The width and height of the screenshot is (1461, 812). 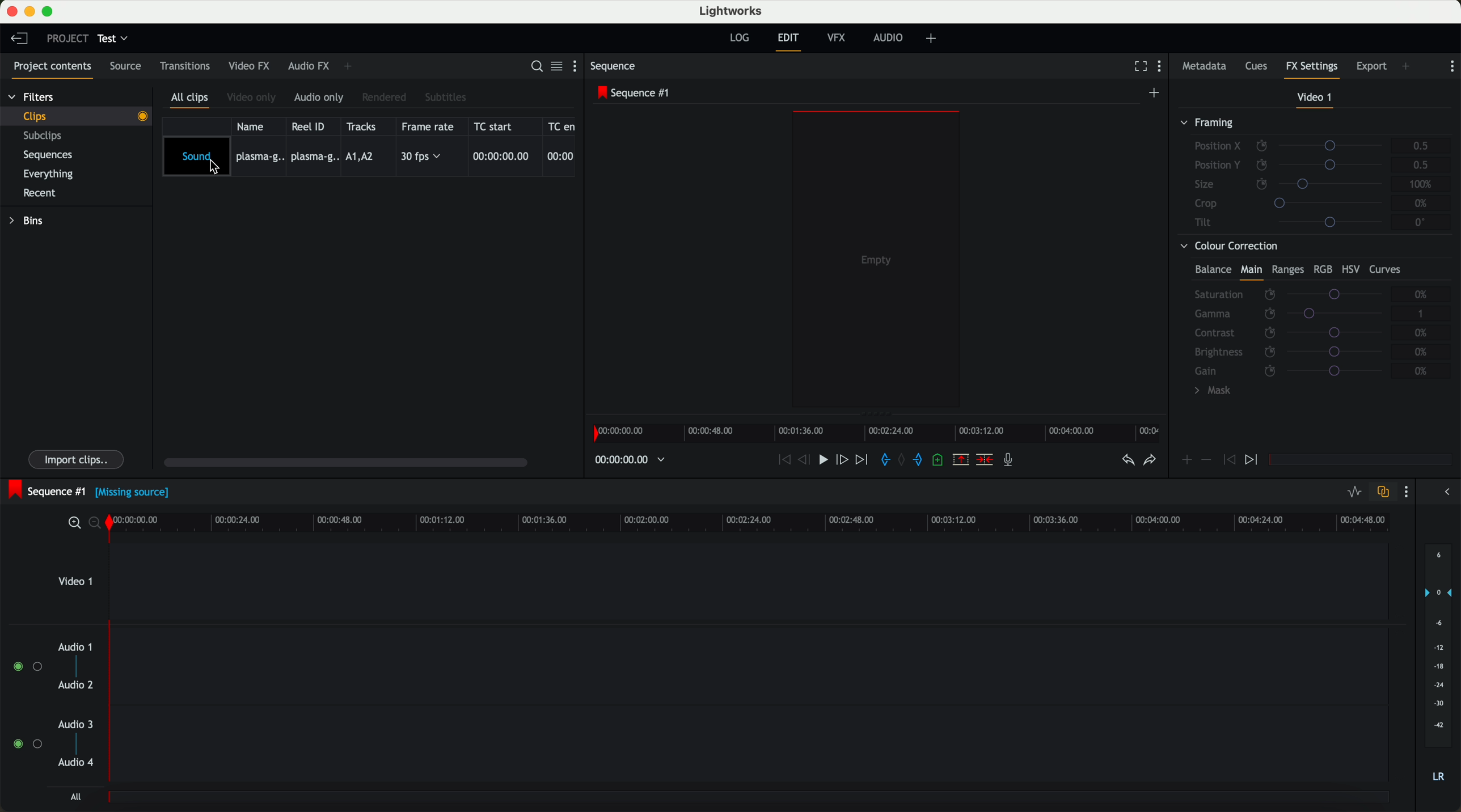 I want to click on audio output level, so click(x=1439, y=670).